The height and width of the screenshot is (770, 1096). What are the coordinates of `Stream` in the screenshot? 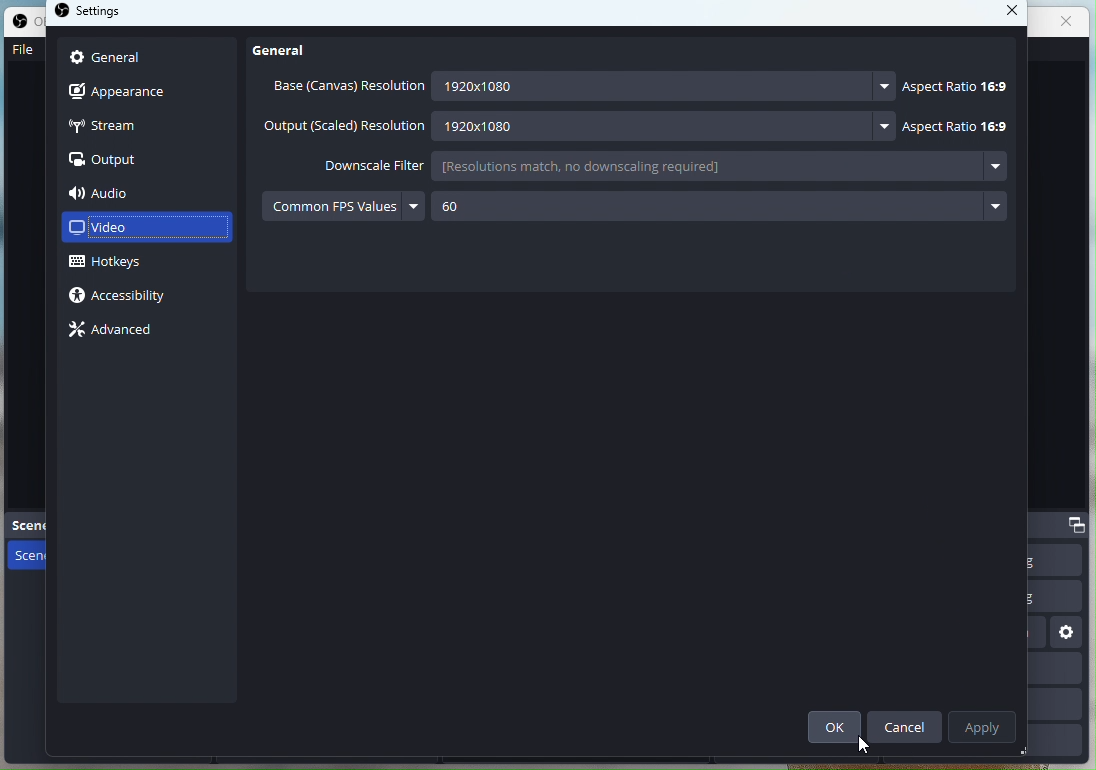 It's located at (143, 127).